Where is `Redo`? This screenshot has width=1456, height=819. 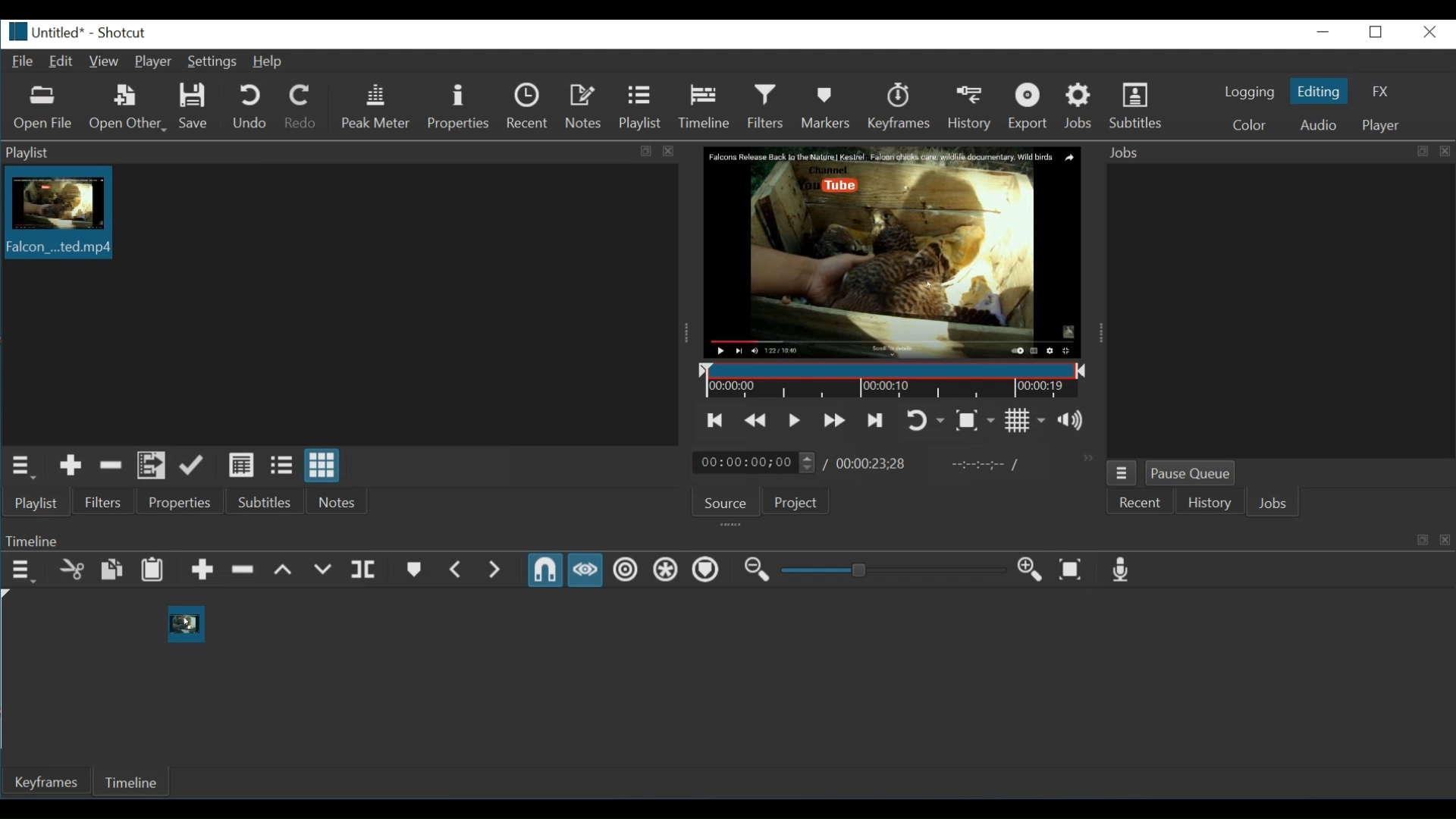
Redo is located at coordinates (301, 106).